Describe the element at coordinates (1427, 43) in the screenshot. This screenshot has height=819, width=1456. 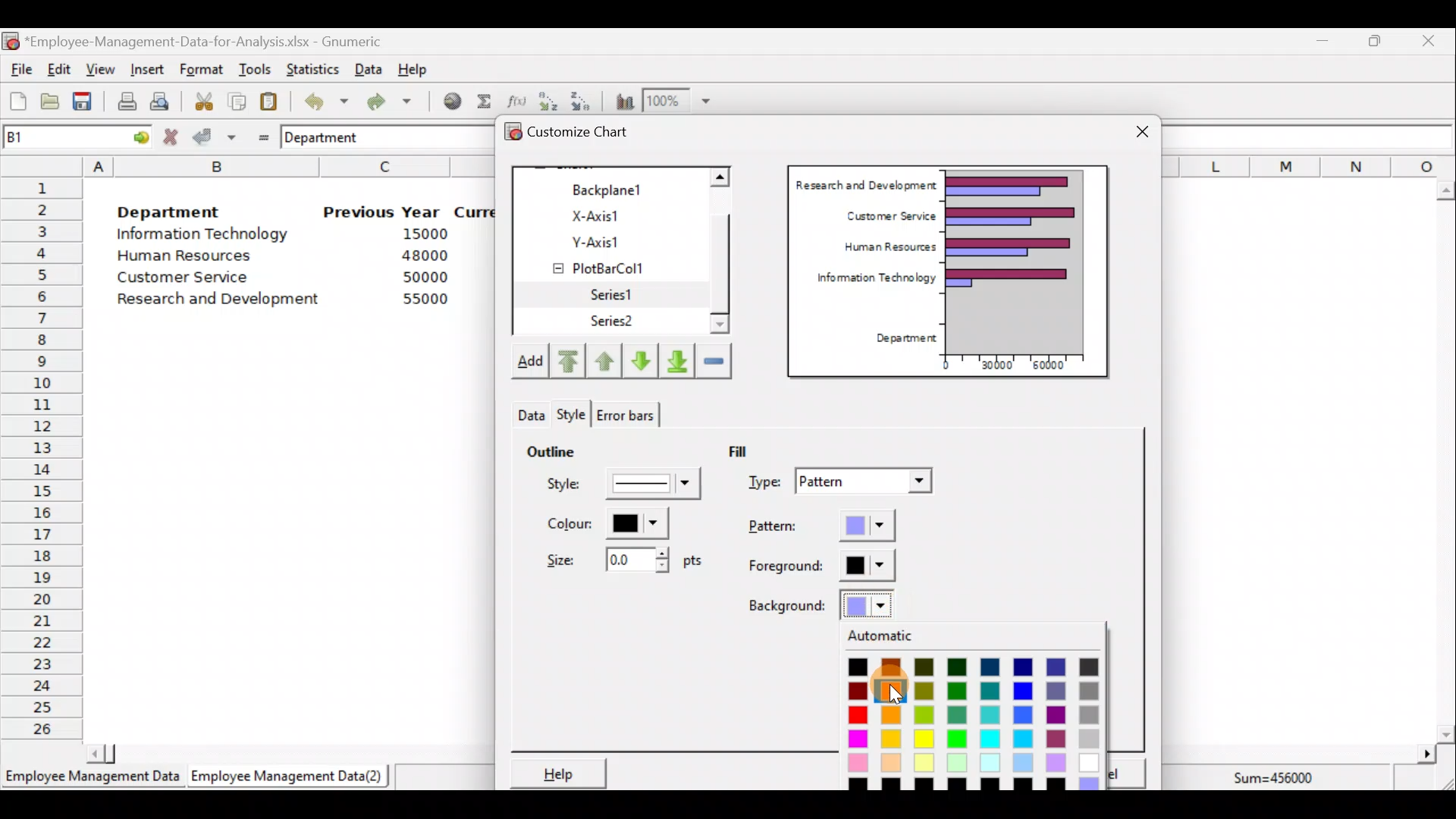
I see `Close` at that location.